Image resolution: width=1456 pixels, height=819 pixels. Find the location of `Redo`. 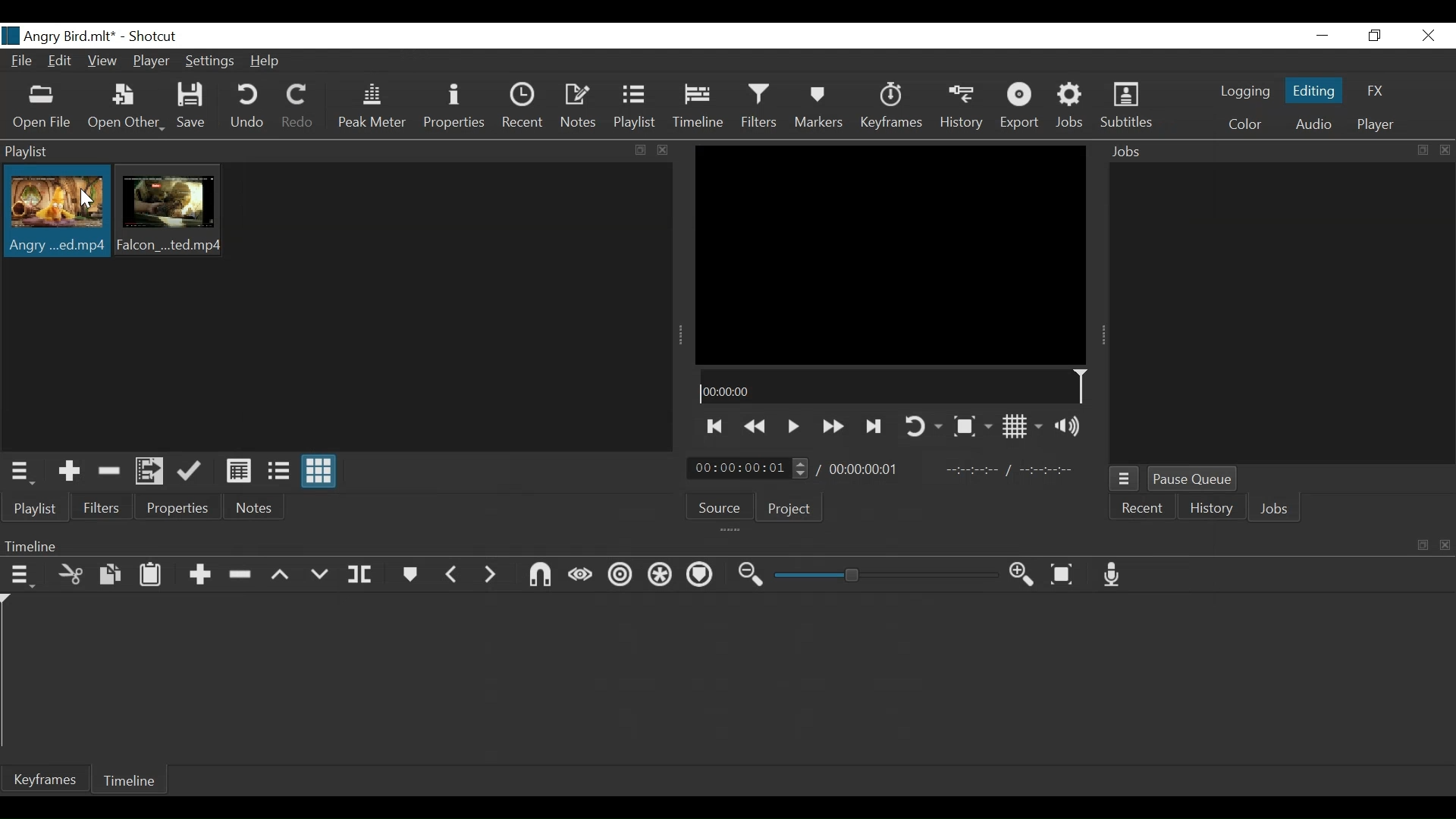

Redo is located at coordinates (297, 107).